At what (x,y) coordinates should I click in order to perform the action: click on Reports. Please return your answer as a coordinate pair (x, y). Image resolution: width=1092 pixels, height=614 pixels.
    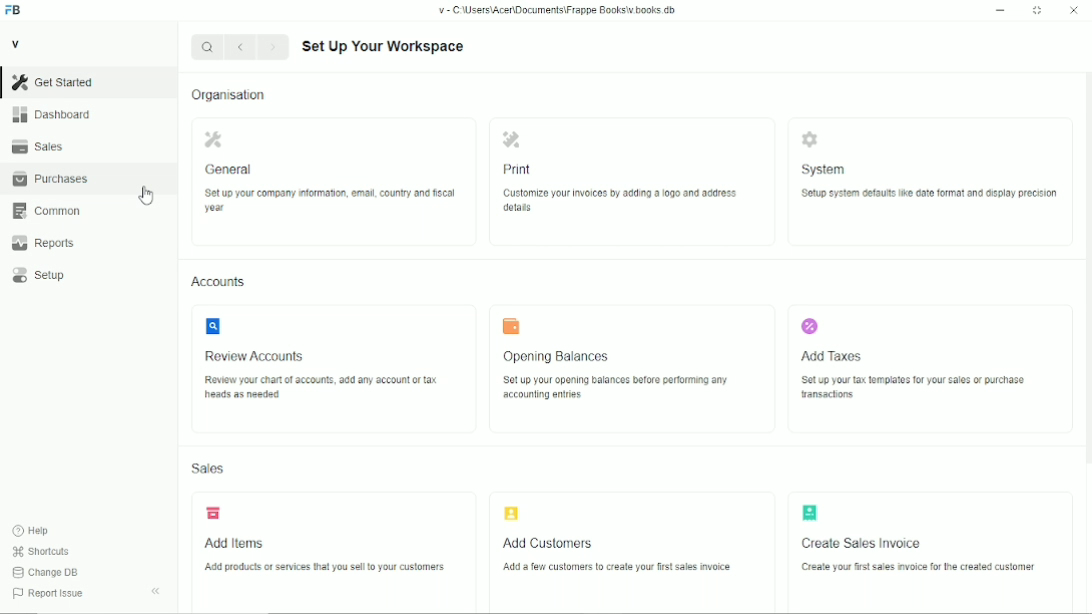
    Looking at the image, I should click on (53, 242).